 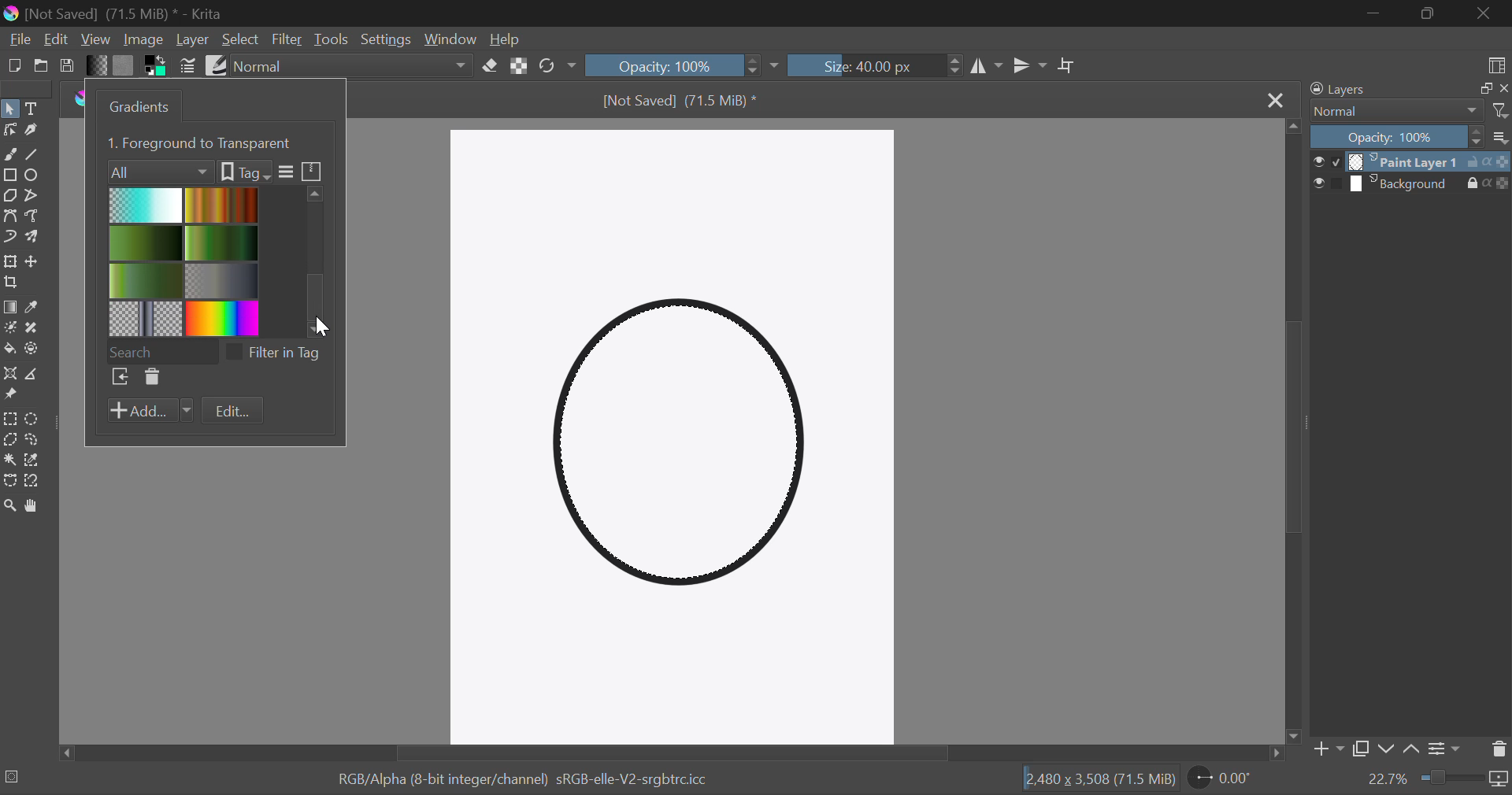 I want to click on Move layer up, so click(x=1410, y=749).